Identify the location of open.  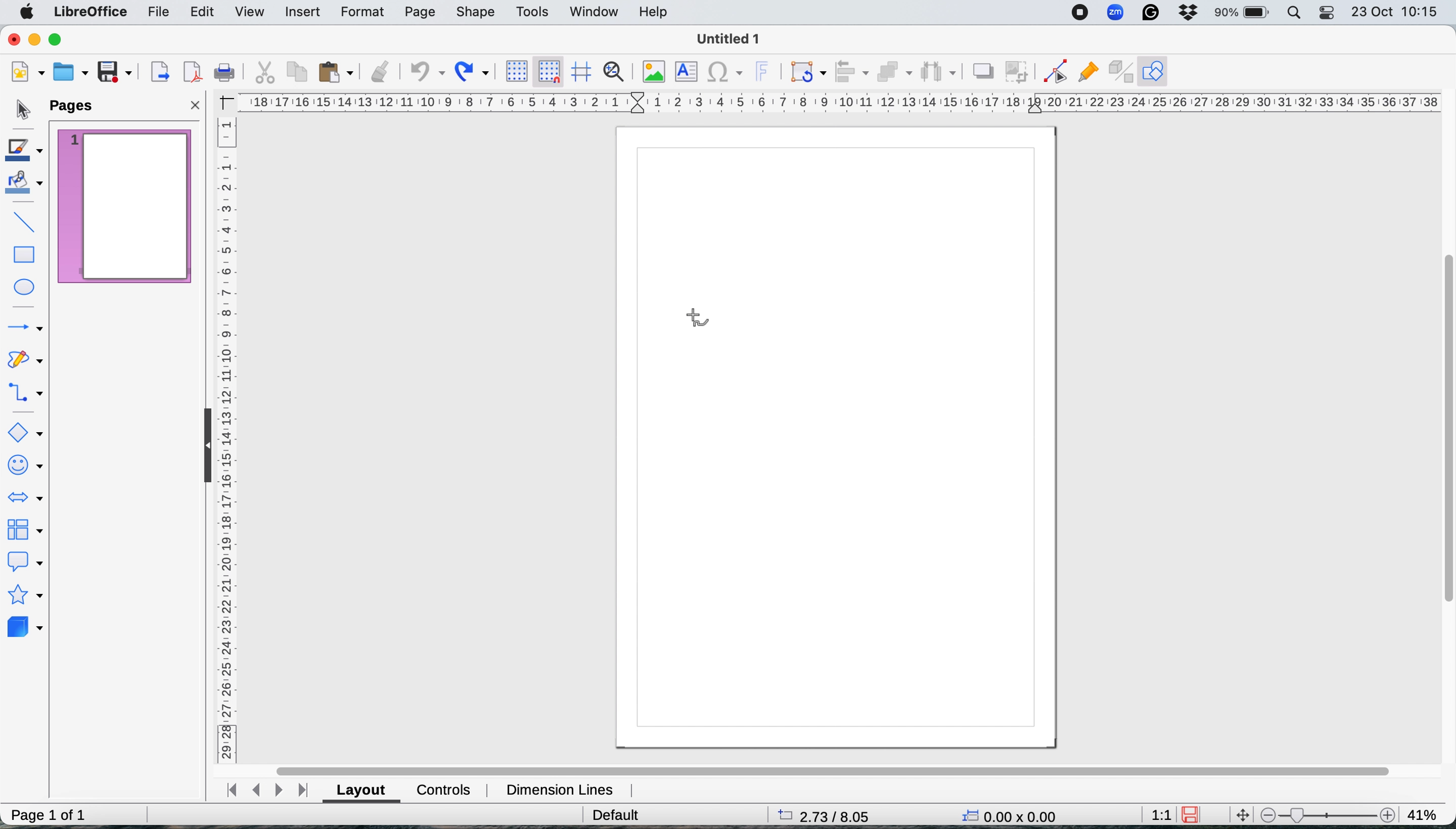
(71, 71).